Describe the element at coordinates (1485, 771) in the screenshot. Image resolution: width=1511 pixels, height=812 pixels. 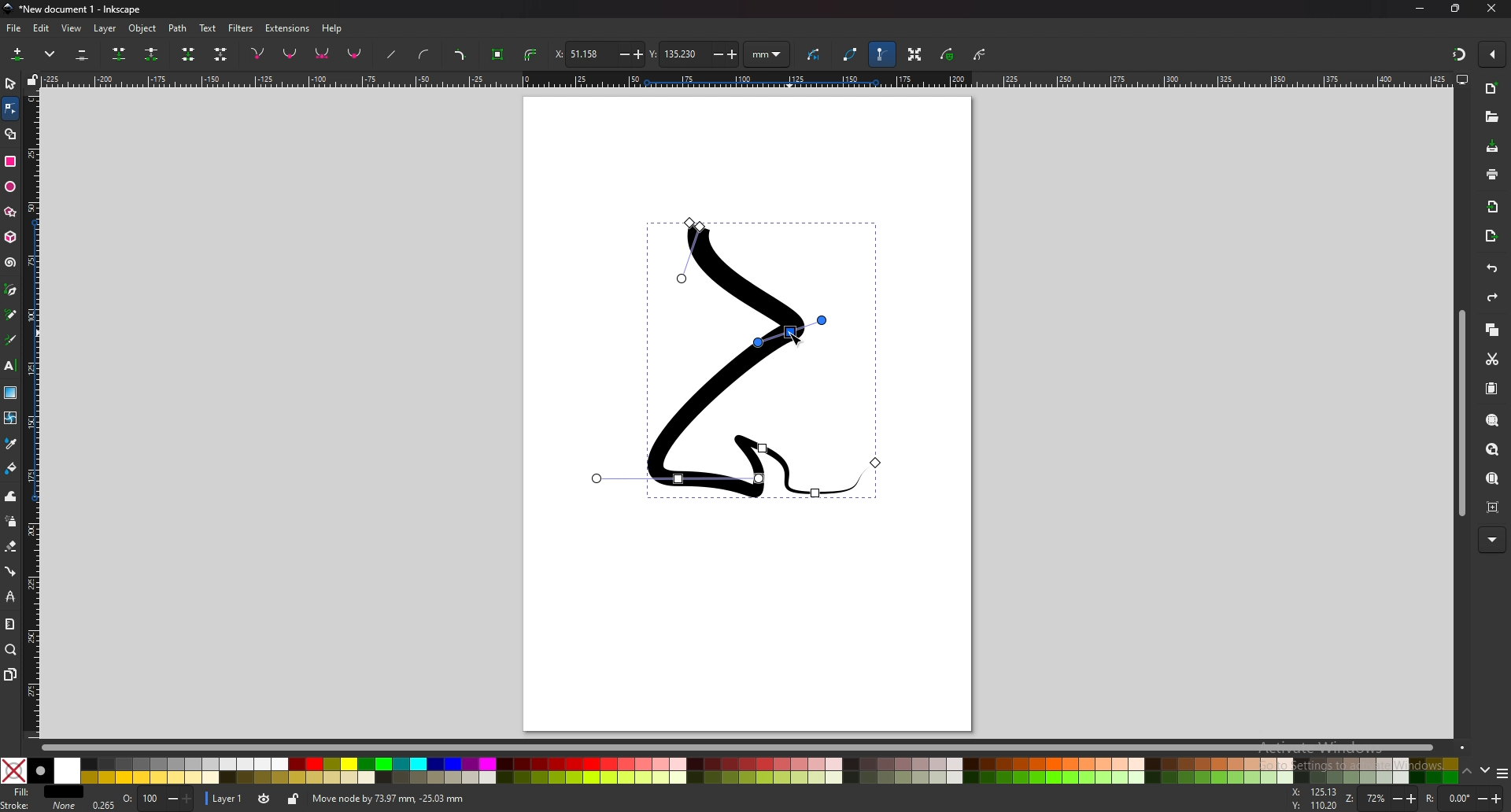
I see `down` at that location.